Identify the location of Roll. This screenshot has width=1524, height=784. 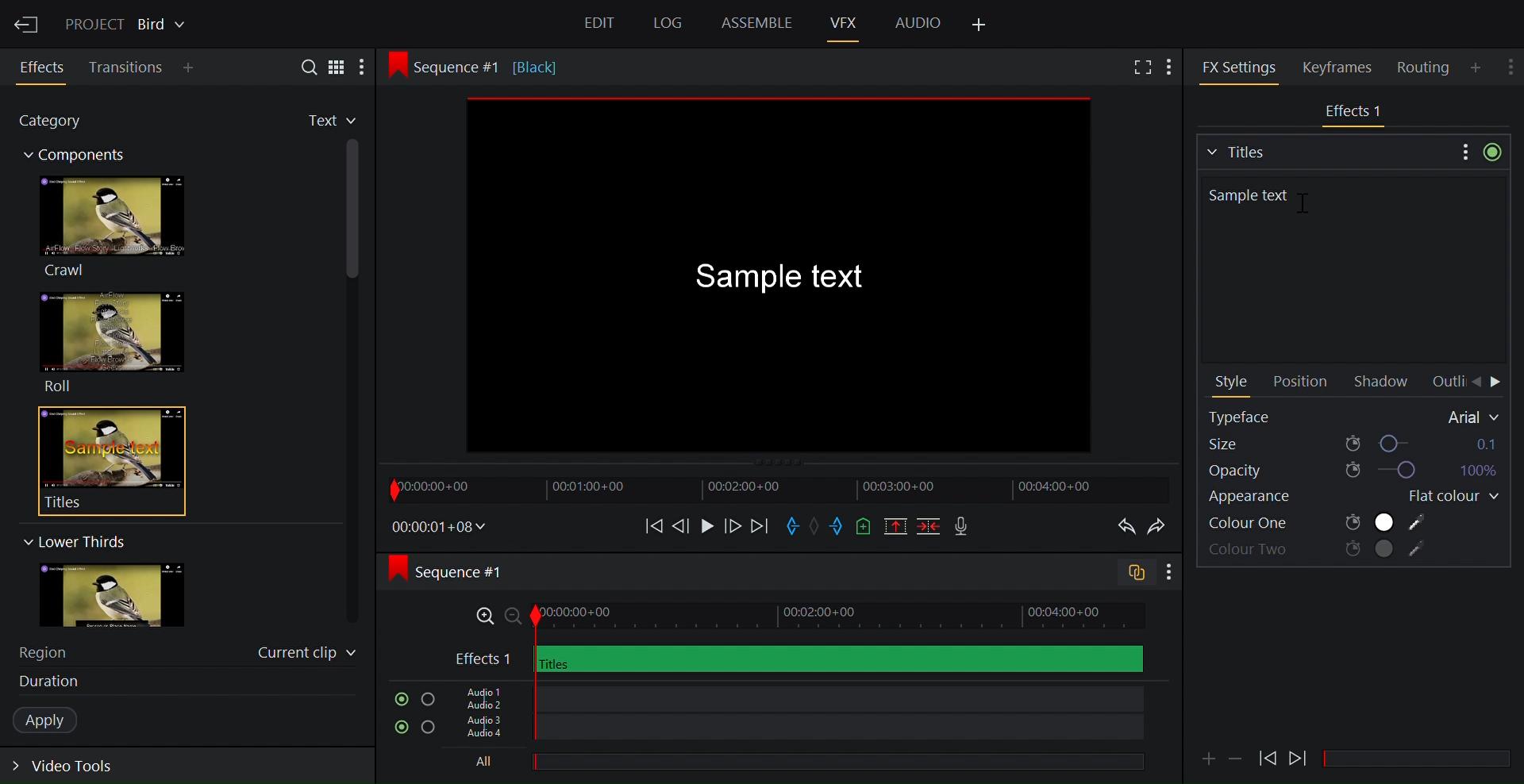
(111, 342).